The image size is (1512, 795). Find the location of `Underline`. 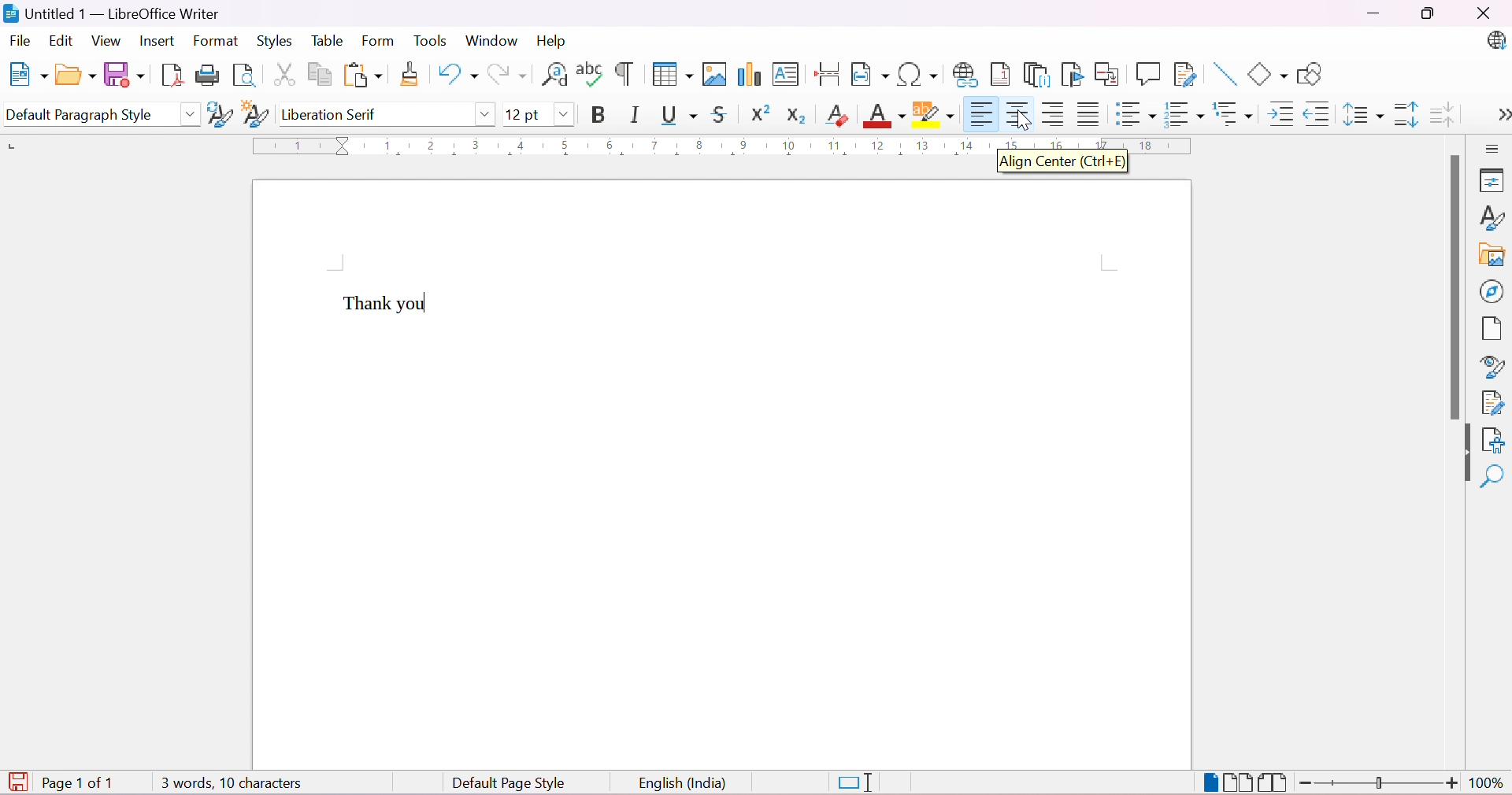

Underline is located at coordinates (679, 114).